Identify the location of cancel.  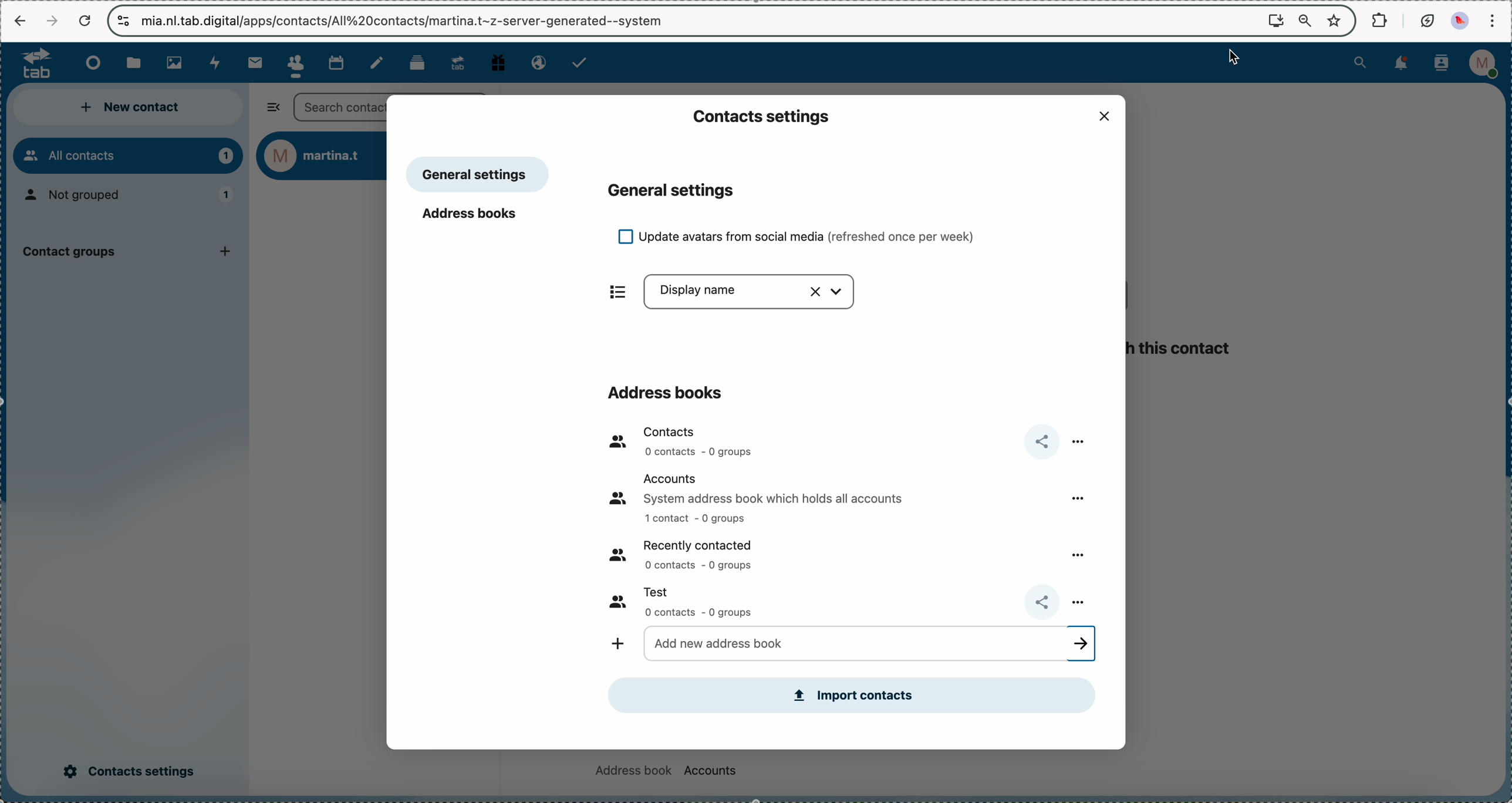
(86, 21).